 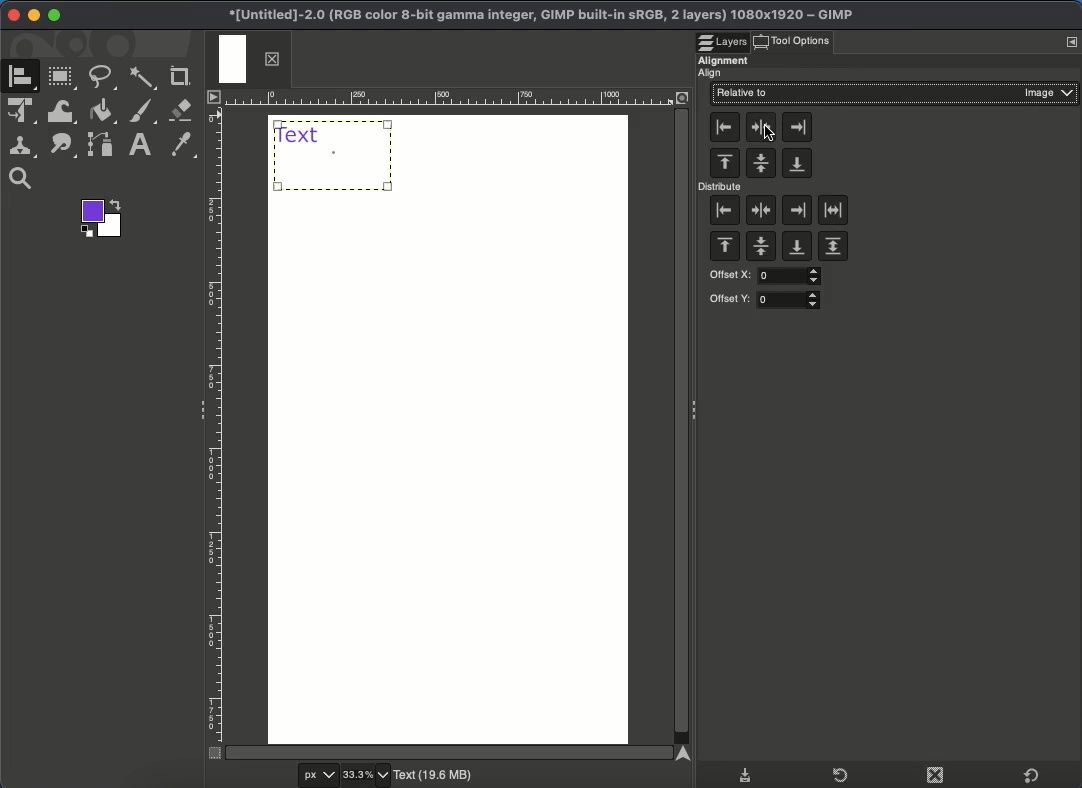 I want to click on Foreground color, so click(x=103, y=218).